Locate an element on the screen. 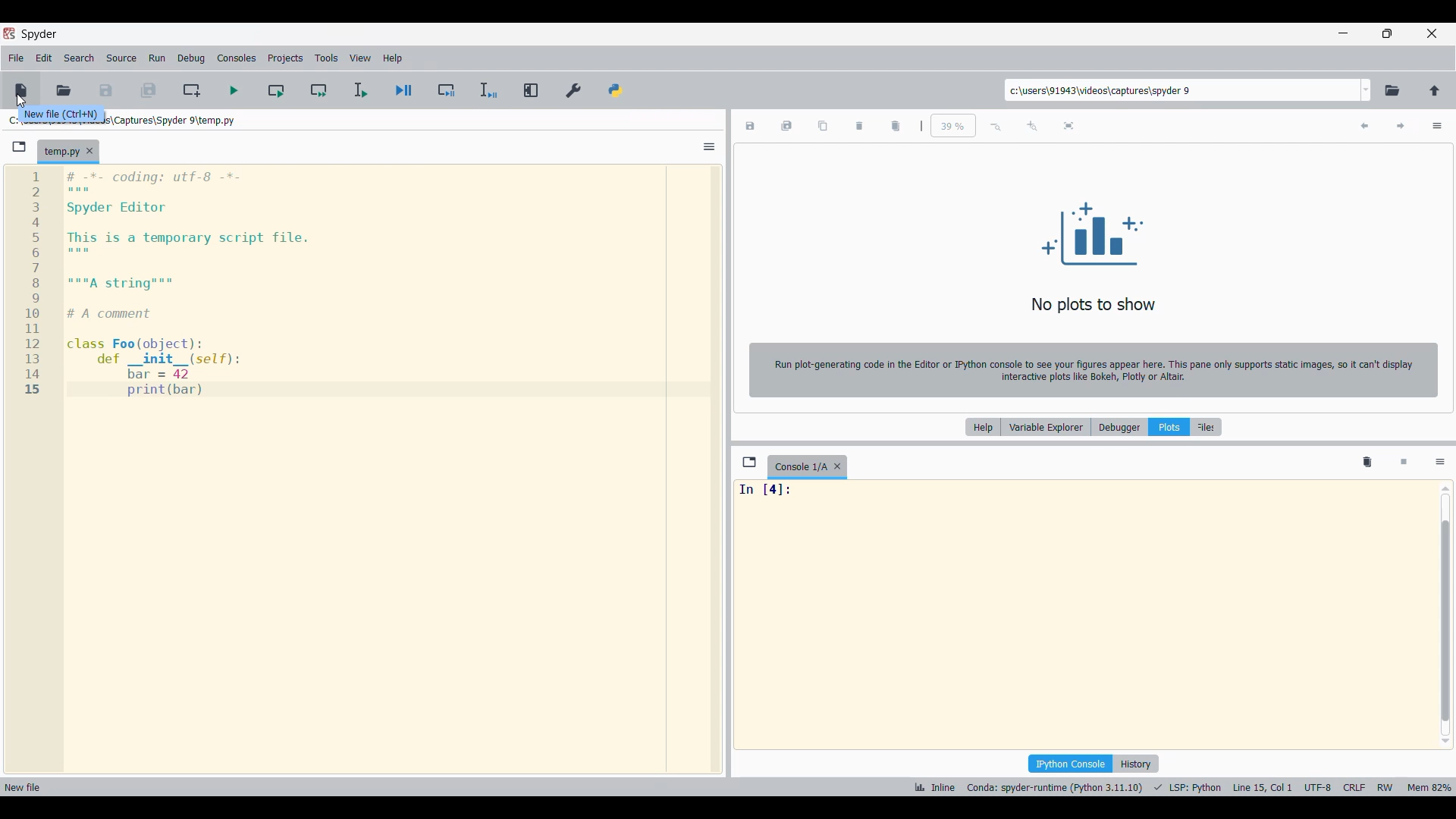  Change to parent directory is located at coordinates (1435, 91).